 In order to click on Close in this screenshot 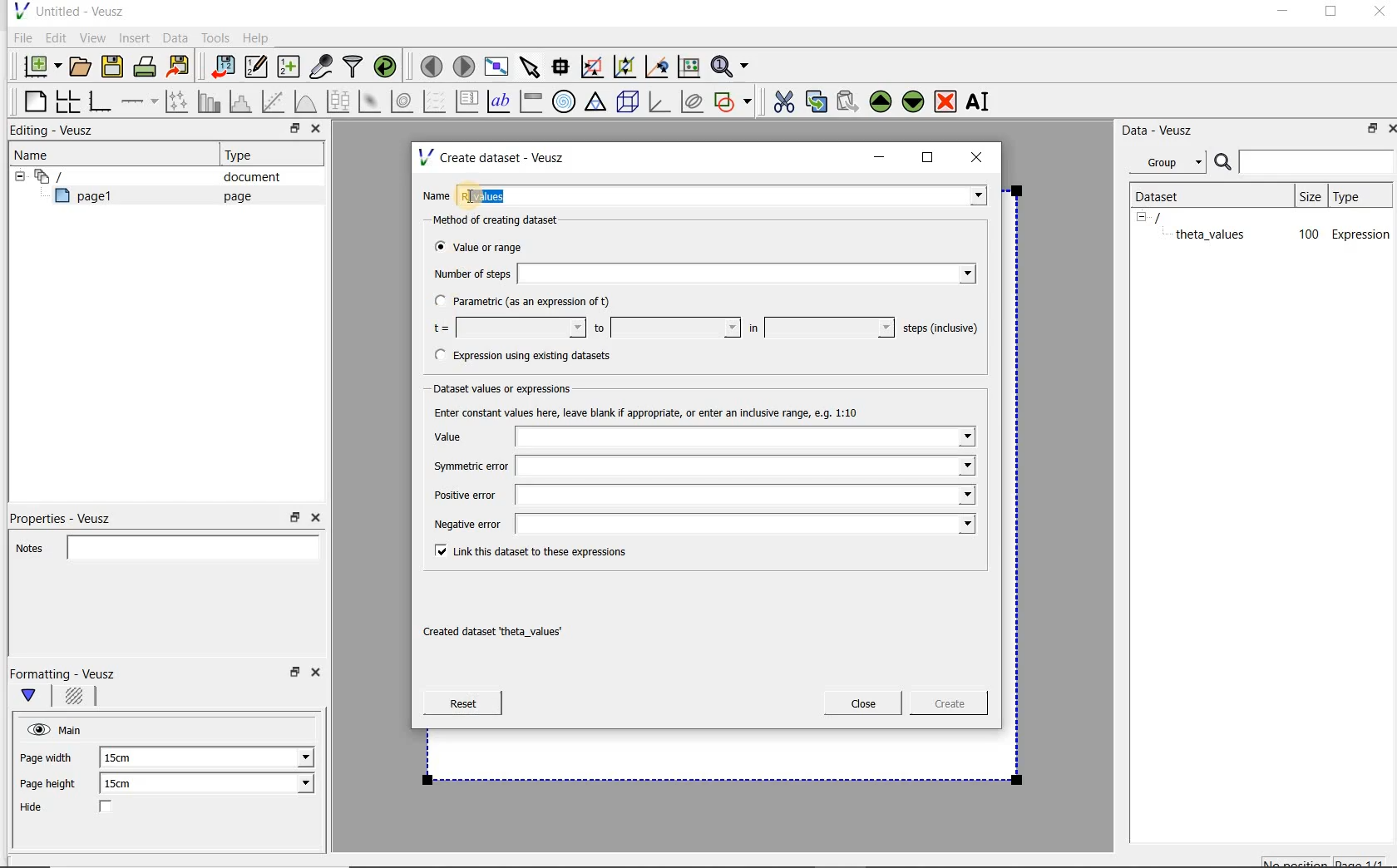, I will do `click(1389, 127)`.